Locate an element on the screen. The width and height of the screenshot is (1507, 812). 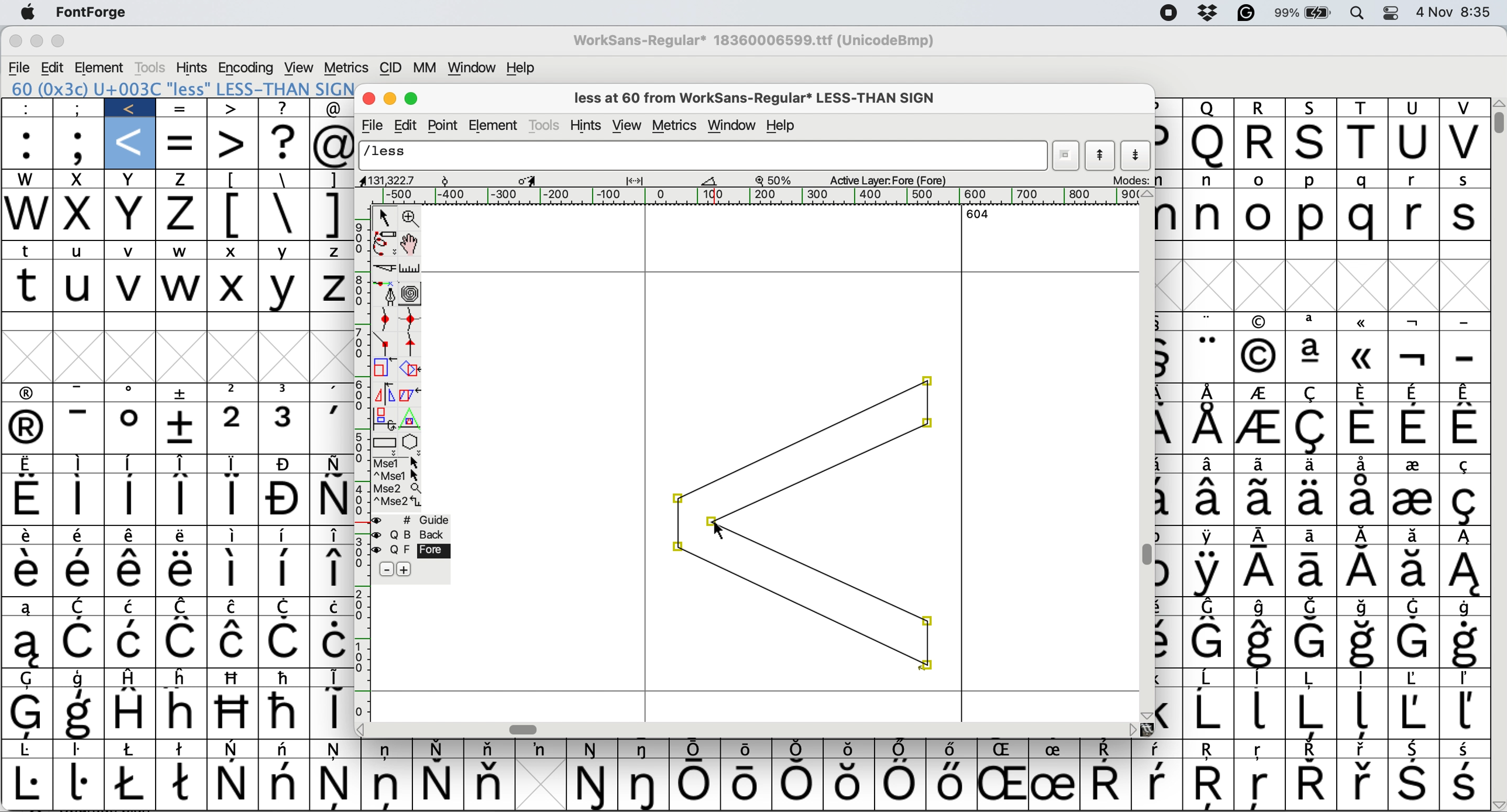
Symbol is located at coordinates (1414, 322).